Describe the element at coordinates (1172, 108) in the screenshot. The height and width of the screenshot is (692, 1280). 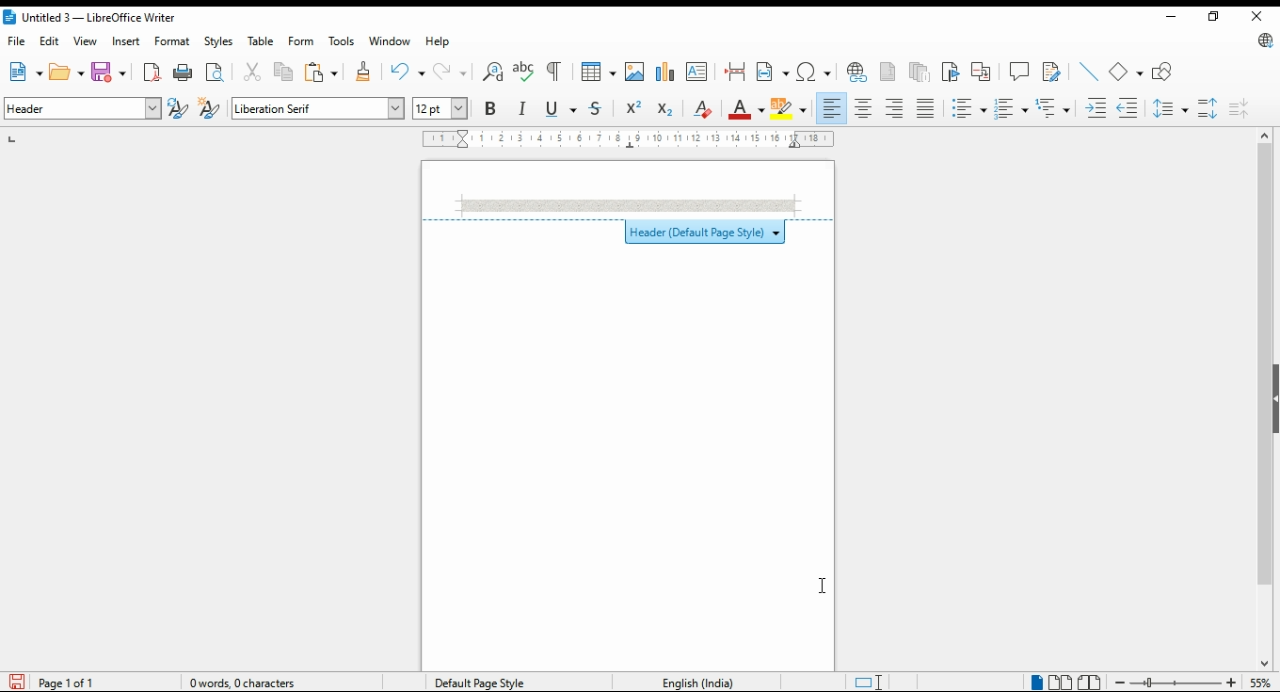
I see `set line spacing` at that location.